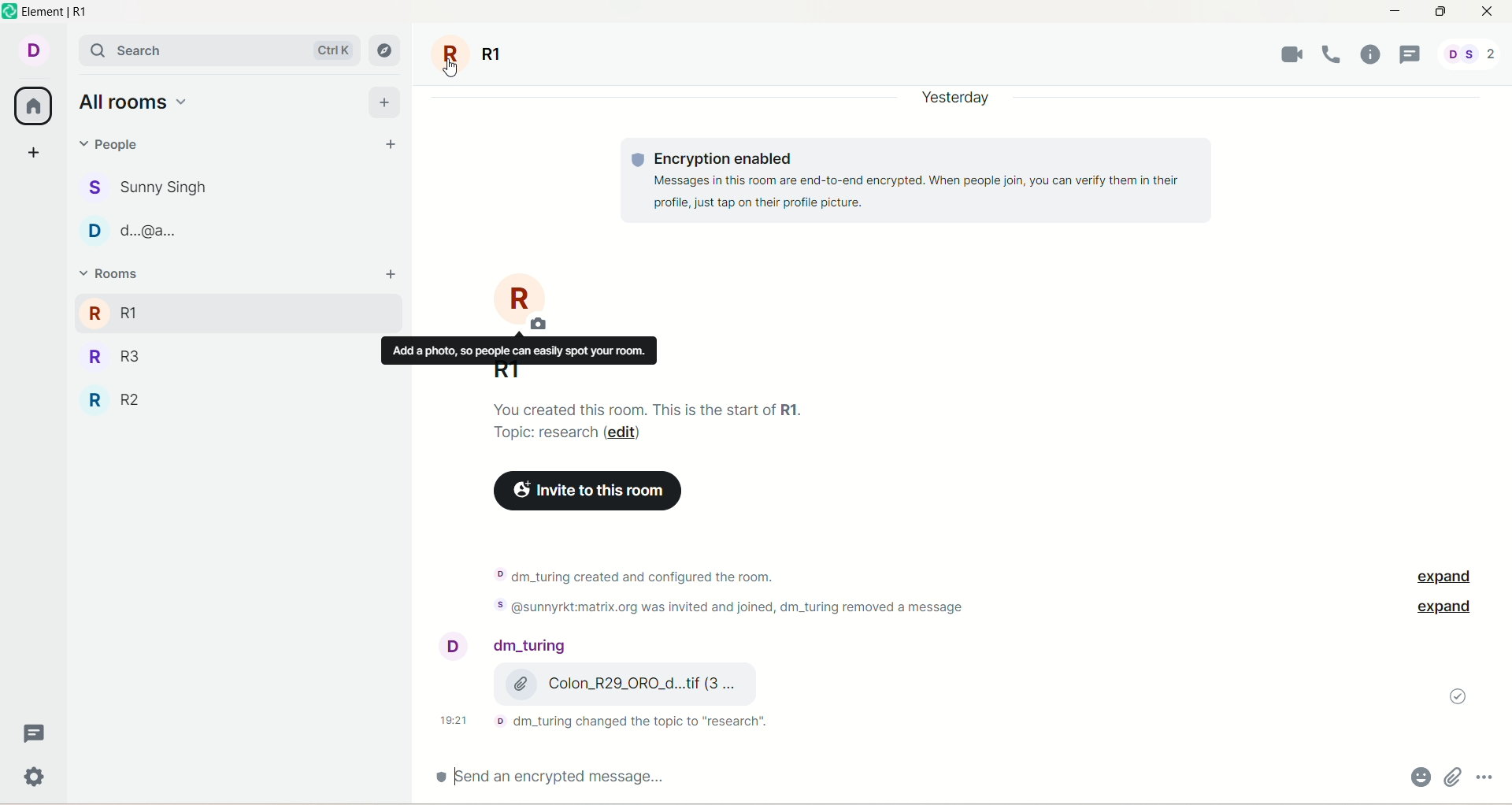 The image size is (1512, 805). I want to click on attachment, so click(1458, 775).